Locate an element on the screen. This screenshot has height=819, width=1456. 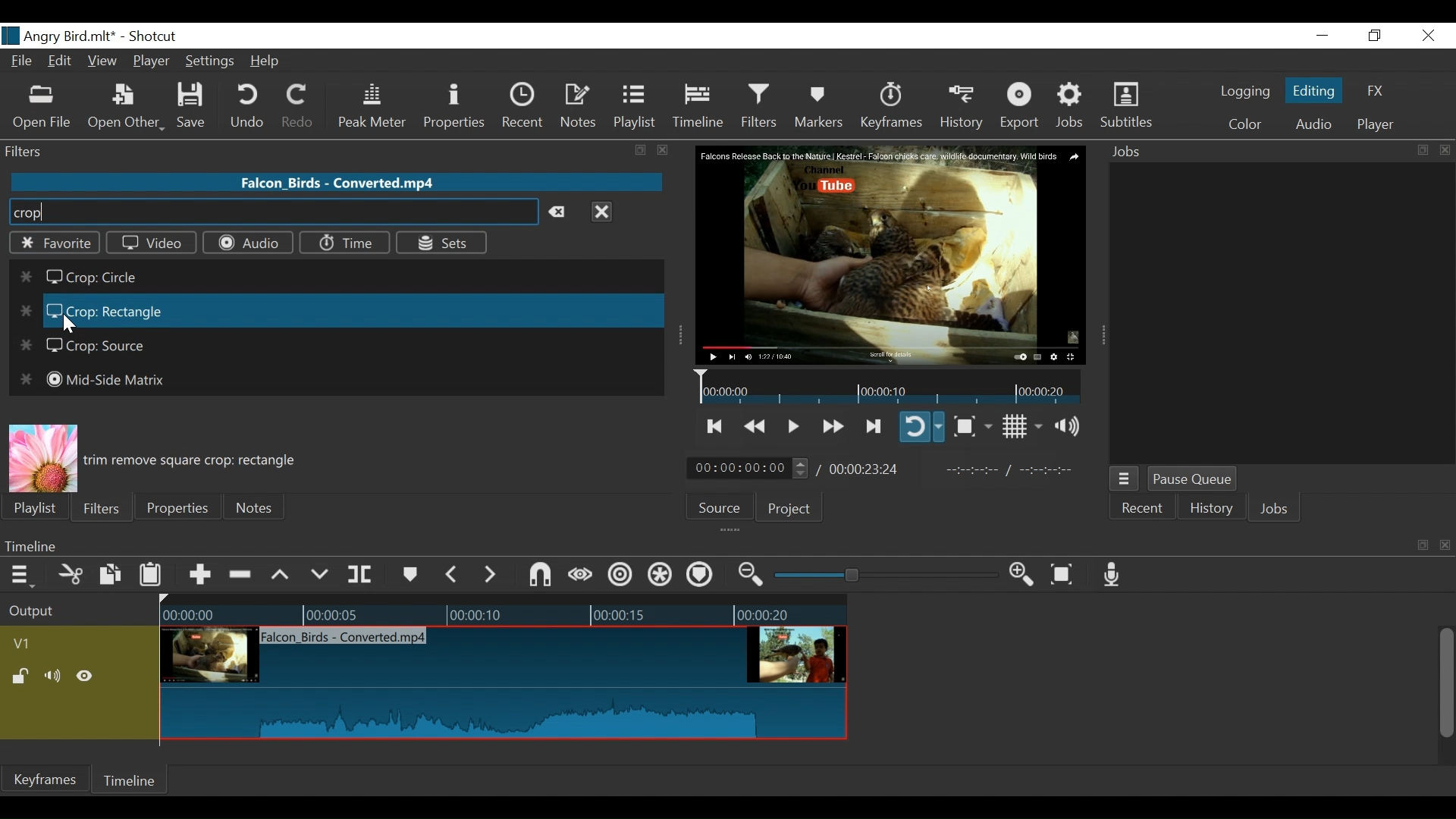
Media Viewer is located at coordinates (891, 256).